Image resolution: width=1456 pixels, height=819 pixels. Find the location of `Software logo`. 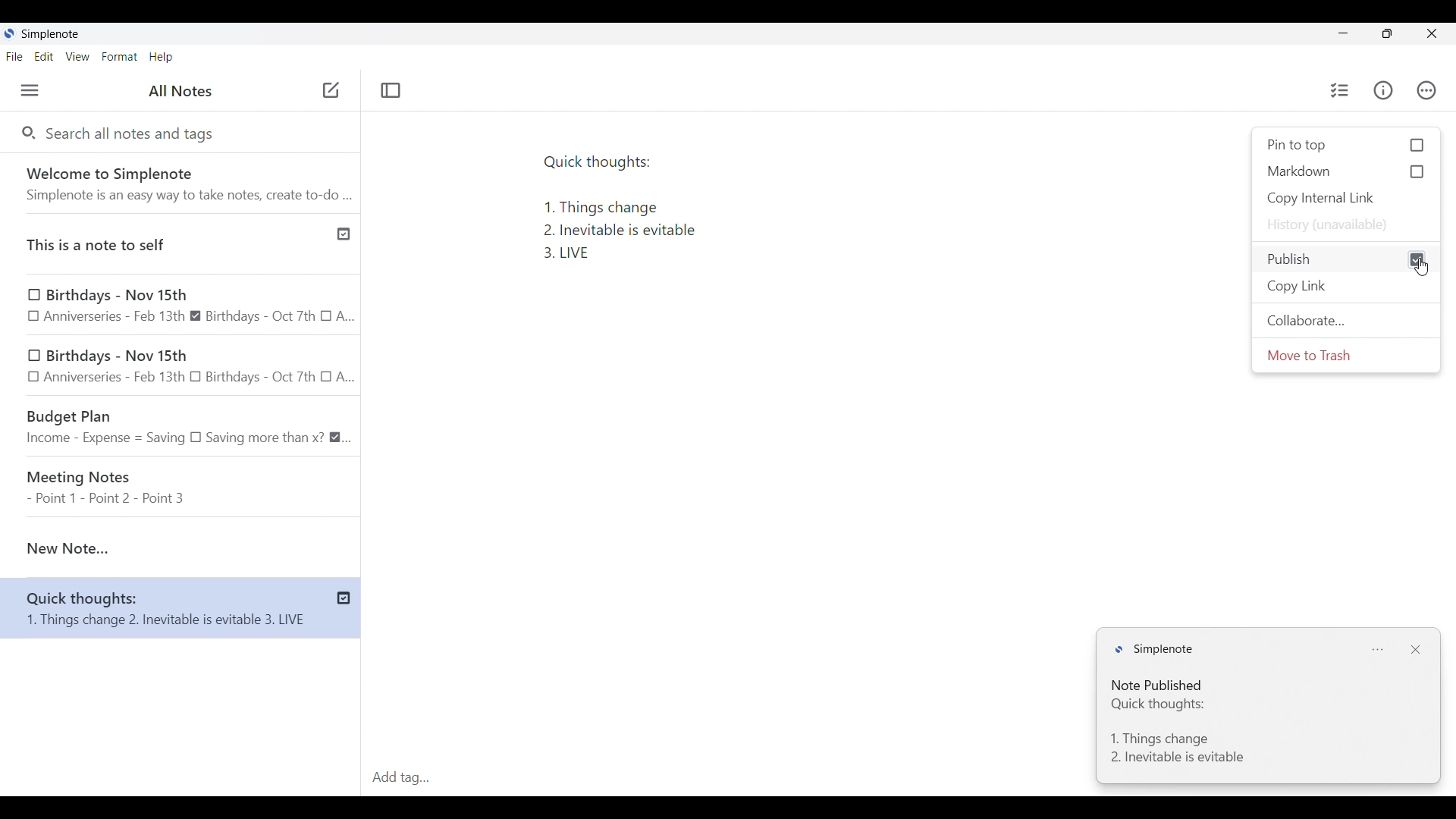

Software logo is located at coordinates (10, 33).